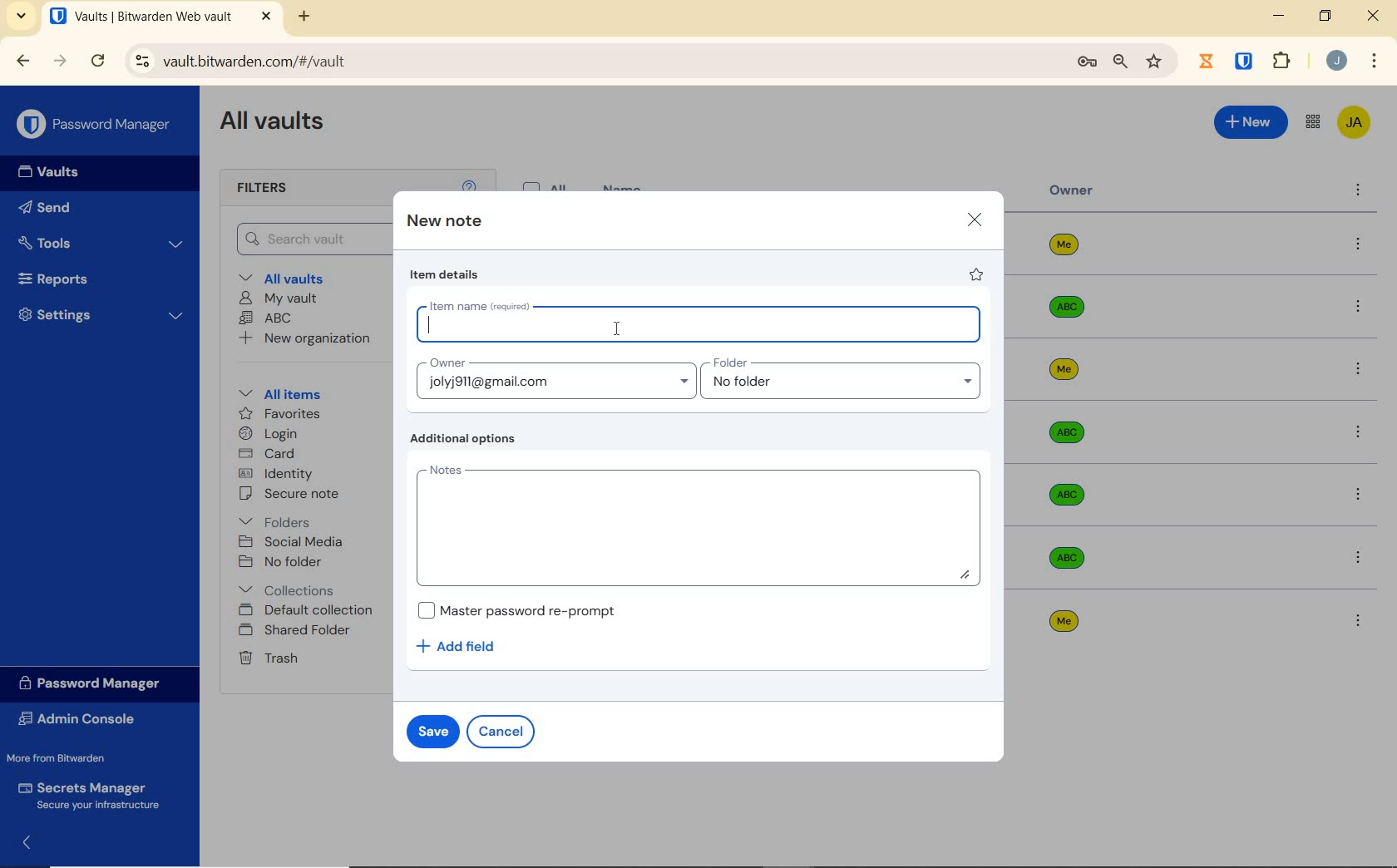 Image resolution: width=1397 pixels, height=868 pixels. Describe the element at coordinates (1357, 432) in the screenshot. I see `more options` at that location.